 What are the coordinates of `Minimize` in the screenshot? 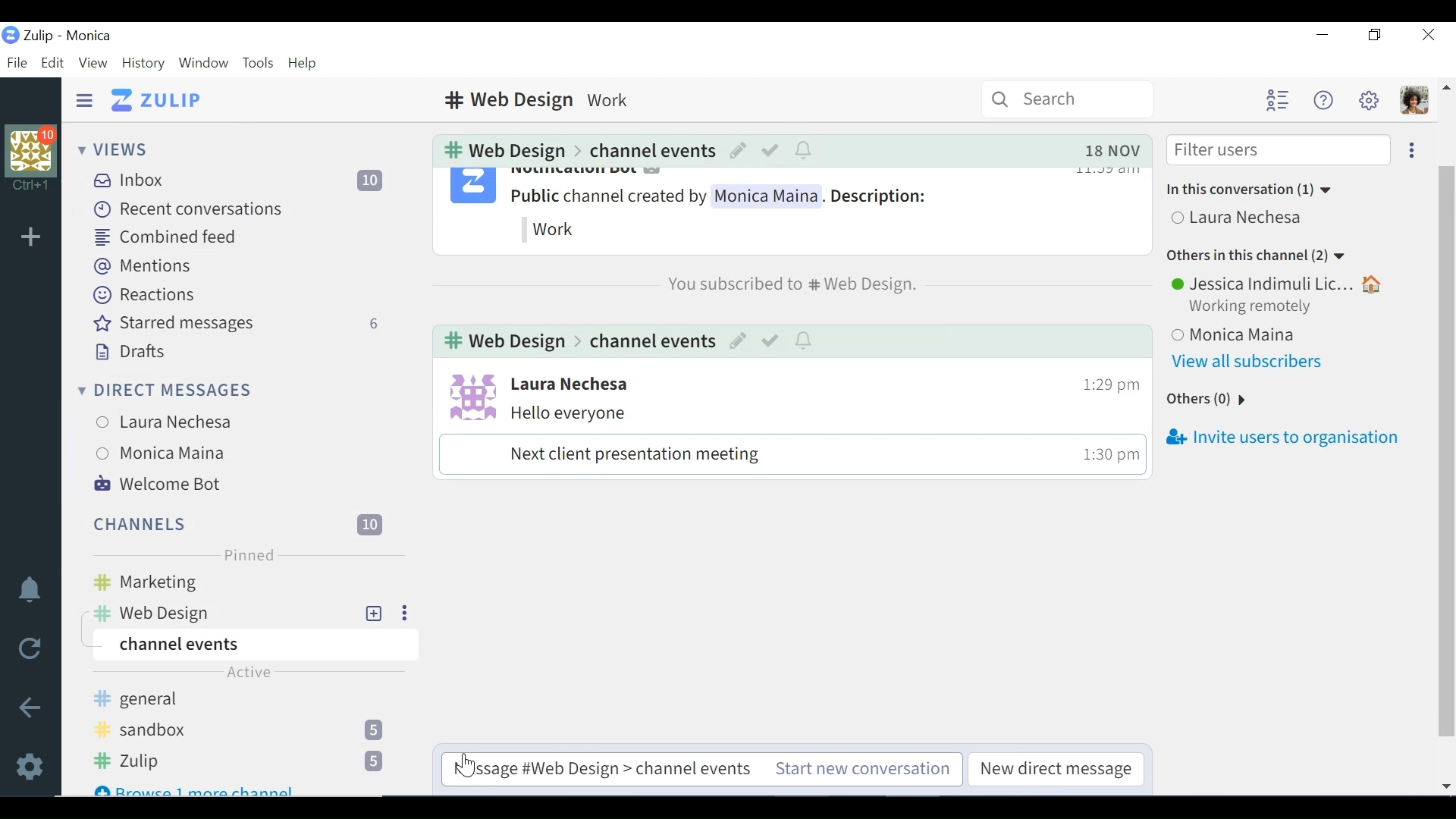 It's located at (1322, 36).